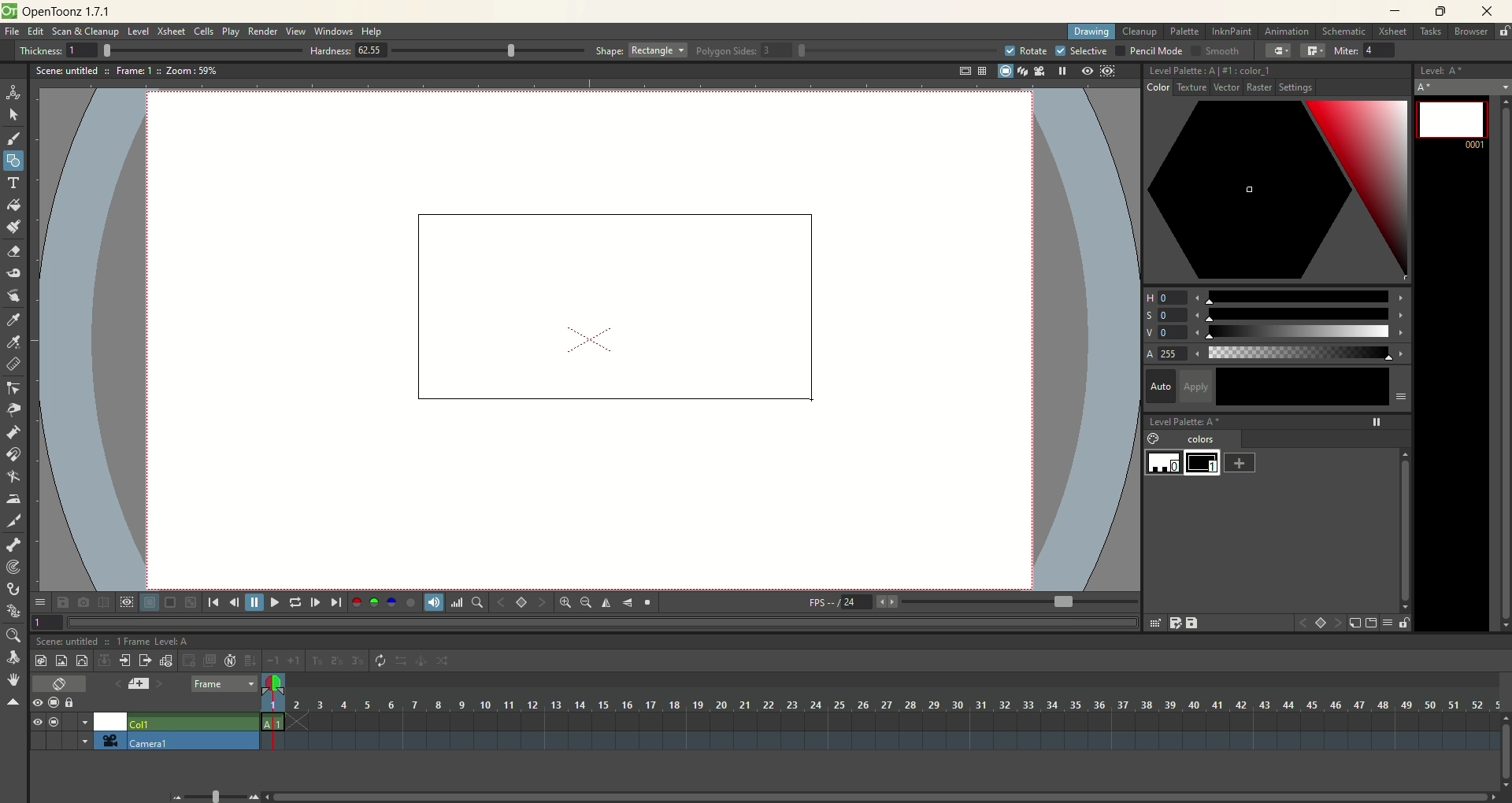 The image size is (1512, 803). I want to click on last frame, so click(338, 602).